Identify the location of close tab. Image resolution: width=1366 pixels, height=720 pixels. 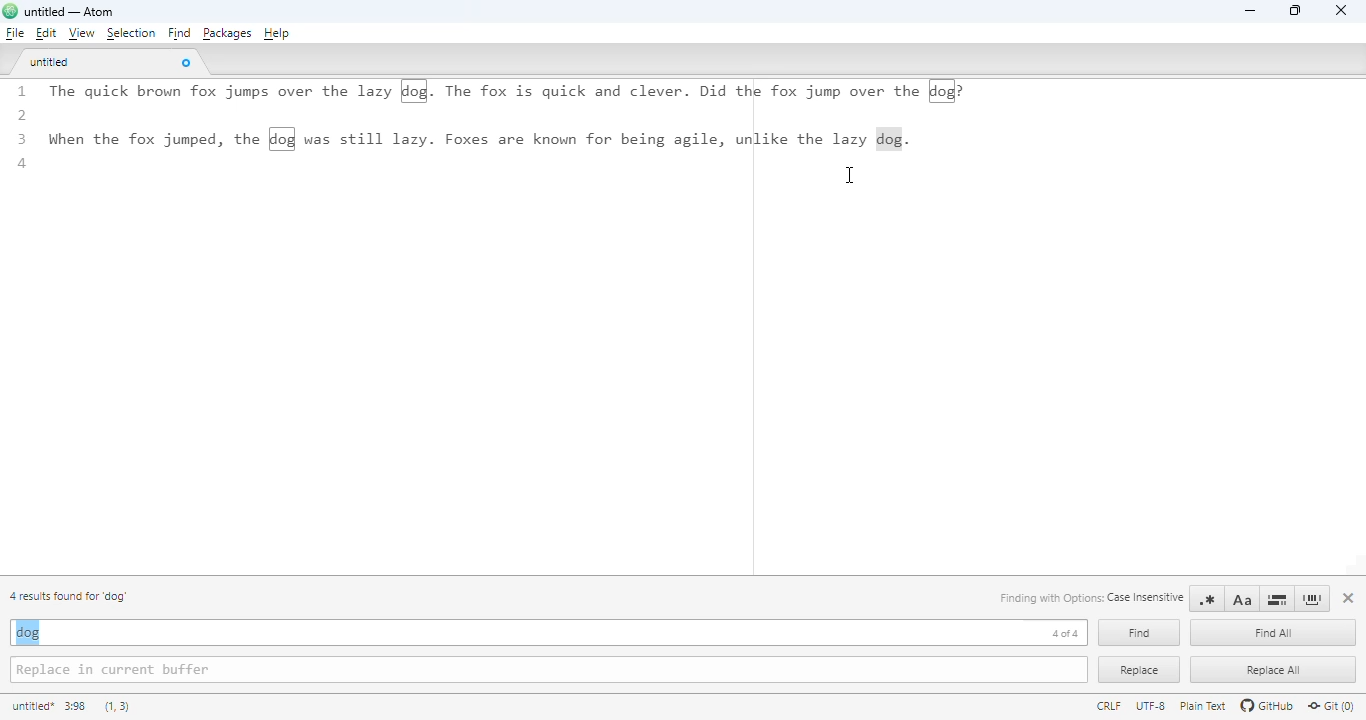
(187, 64).